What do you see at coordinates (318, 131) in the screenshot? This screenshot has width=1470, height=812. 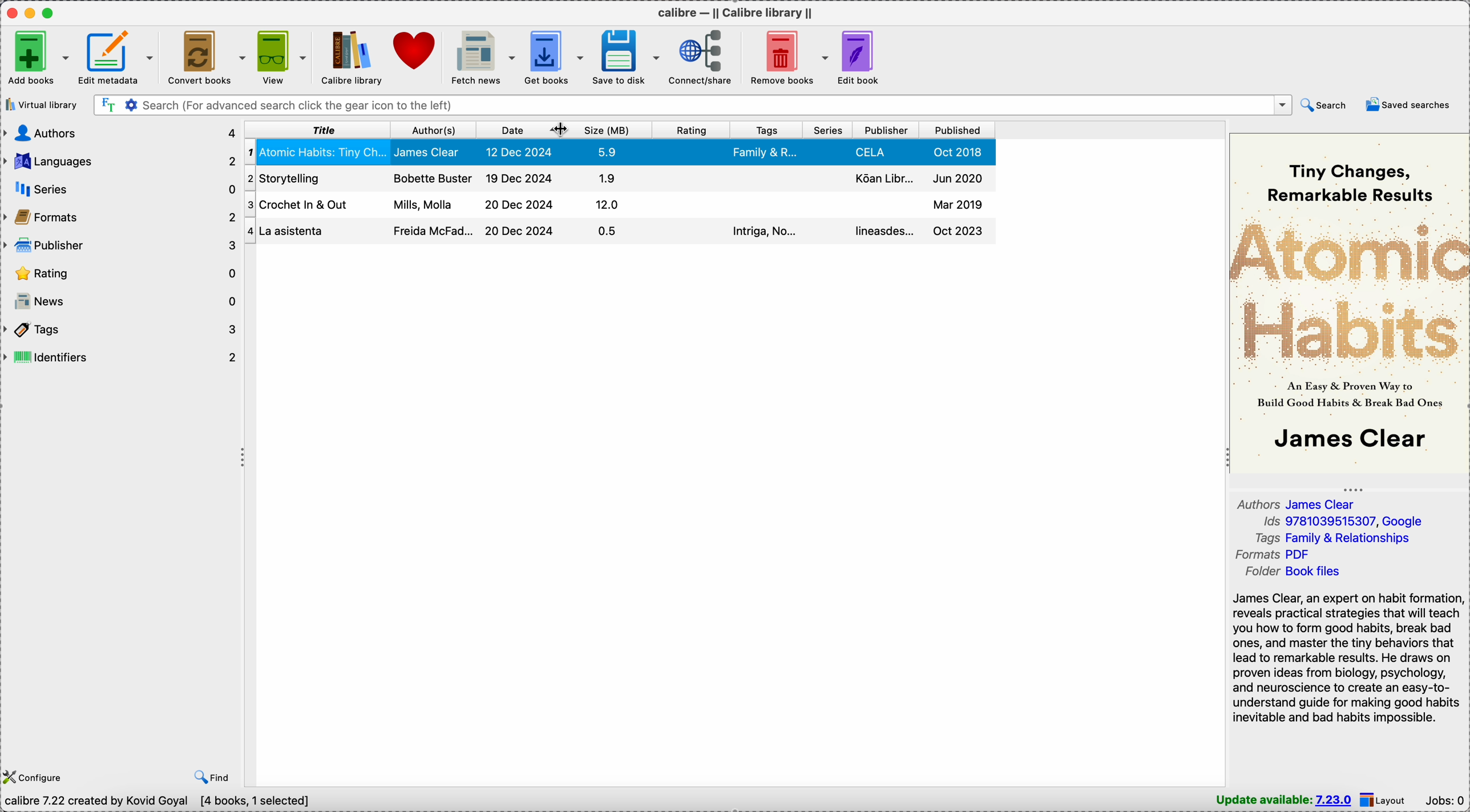 I see `title` at bounding box center [318, 131].